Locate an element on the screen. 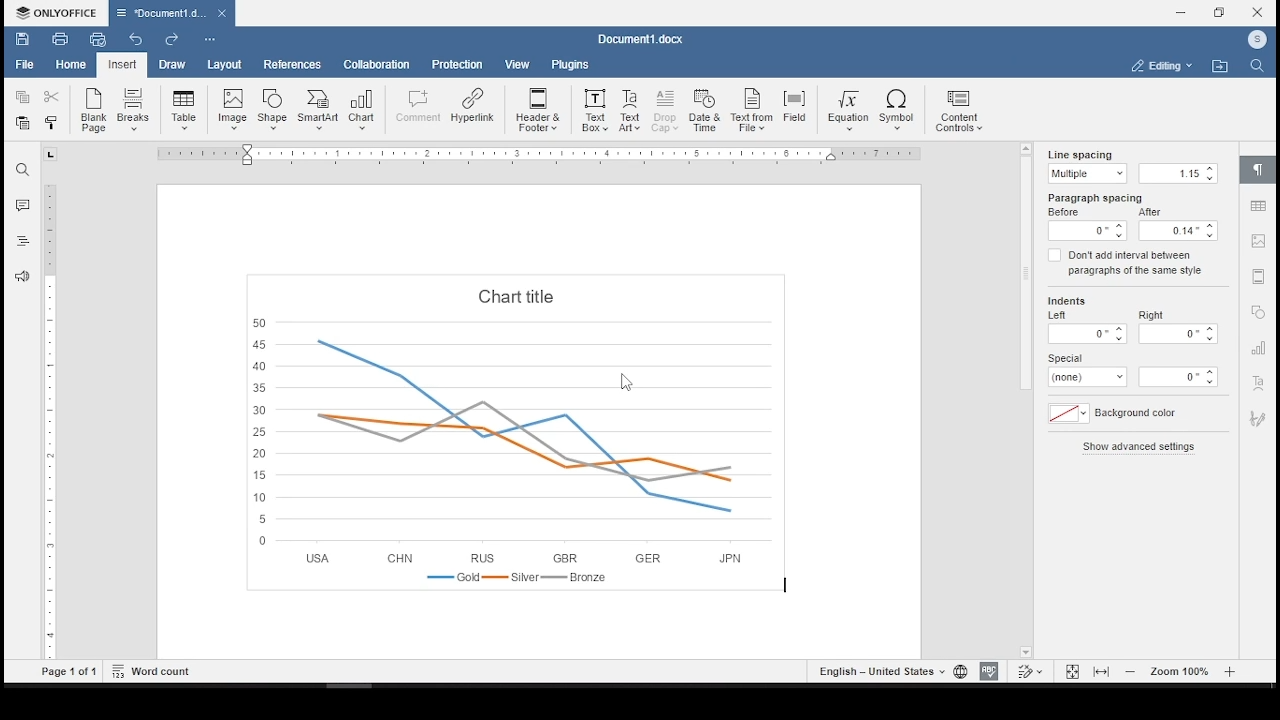 The width and height of the screenshot is (1280, 720). background is located at coordinates (1120, 414).